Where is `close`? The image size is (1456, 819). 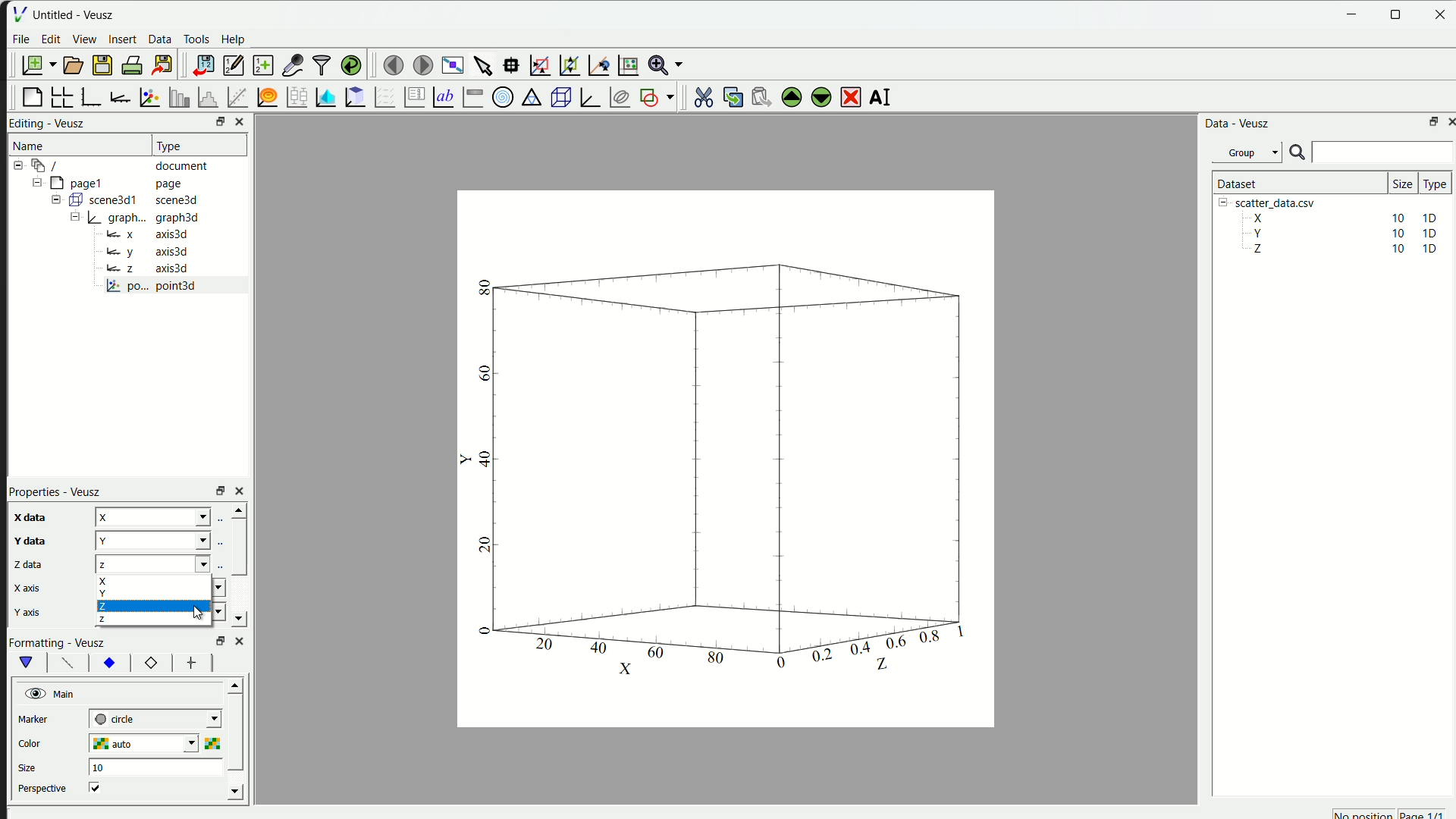 close is located at coordinates (242, 491).